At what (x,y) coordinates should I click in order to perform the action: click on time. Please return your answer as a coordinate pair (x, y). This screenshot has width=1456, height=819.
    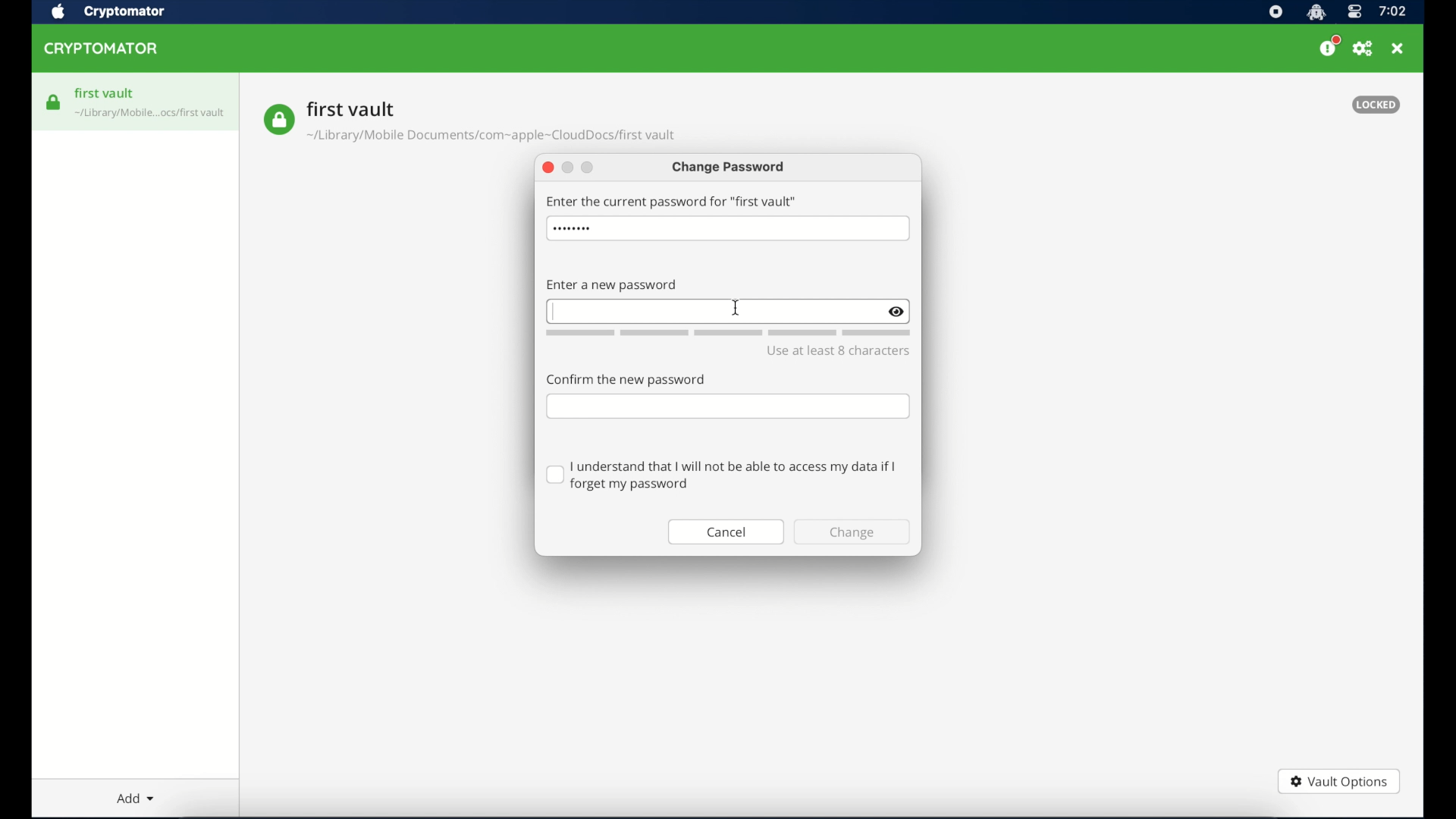
    Looking at the image, I should click on (1392, 12).